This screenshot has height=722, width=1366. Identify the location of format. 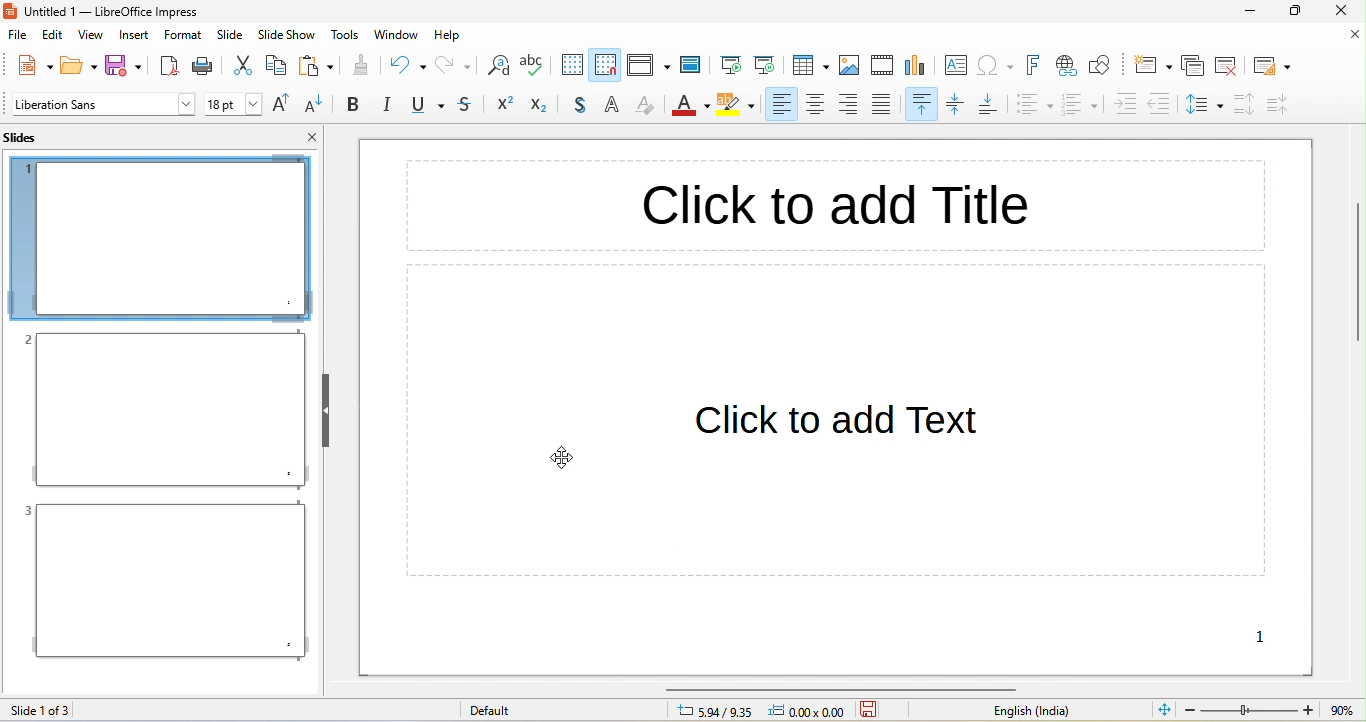
(183, 34).